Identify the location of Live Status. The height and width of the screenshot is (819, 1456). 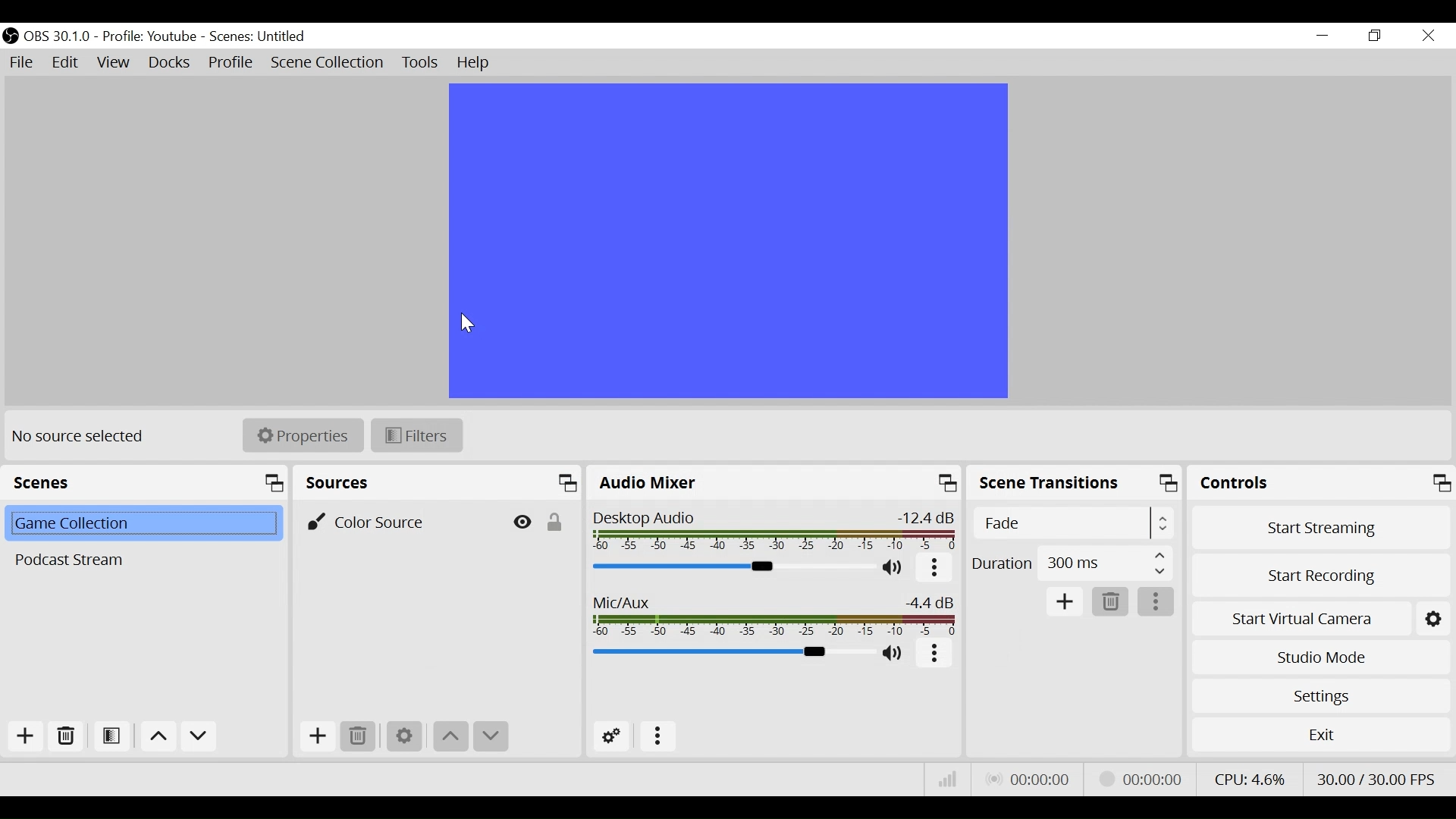
(1030, 779).